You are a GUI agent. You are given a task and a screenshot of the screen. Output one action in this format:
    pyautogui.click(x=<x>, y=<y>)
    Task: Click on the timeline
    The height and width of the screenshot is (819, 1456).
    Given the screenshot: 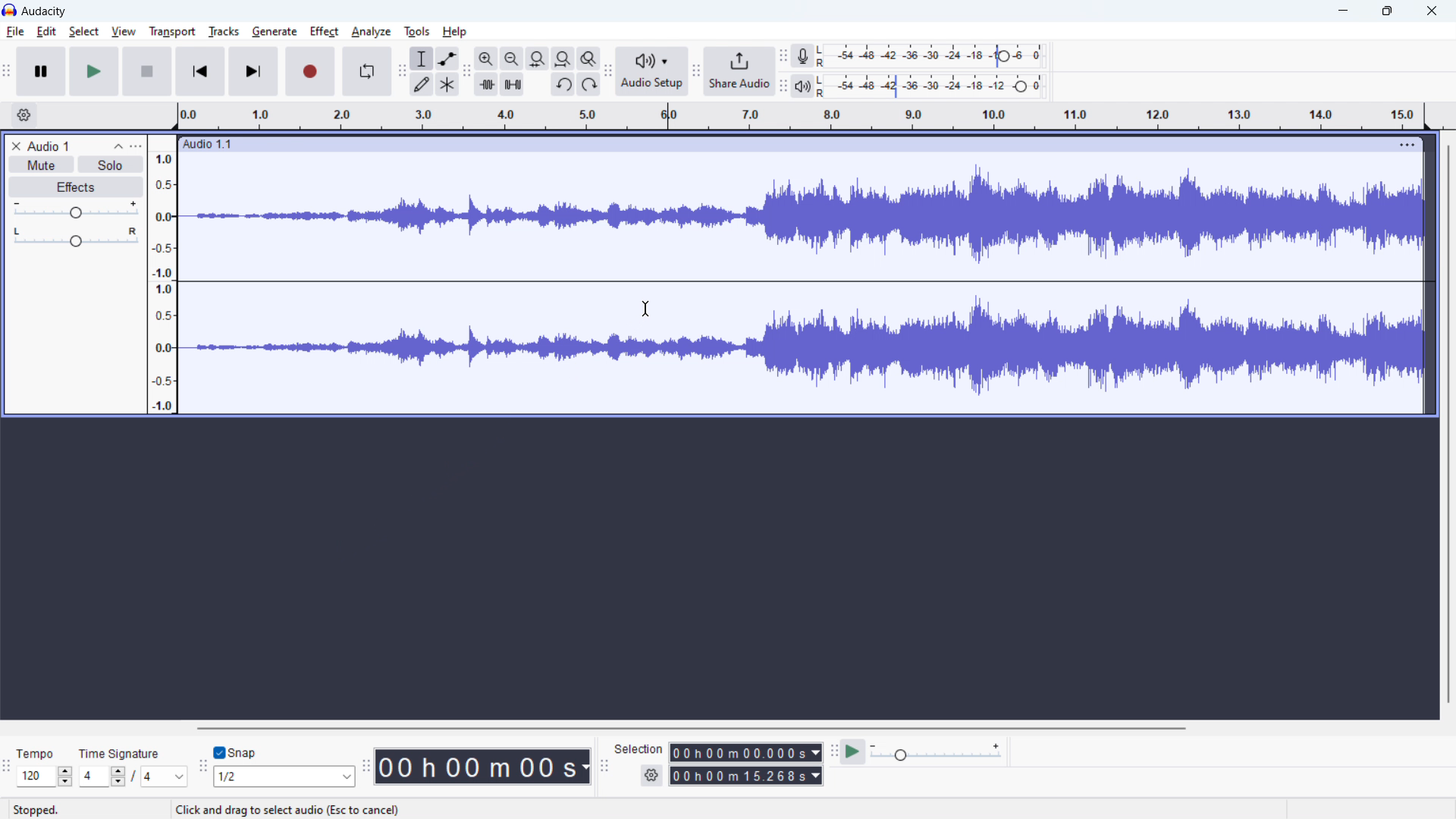 What is the action you would take?
    pyautogui.click(x=800, y=117)
    